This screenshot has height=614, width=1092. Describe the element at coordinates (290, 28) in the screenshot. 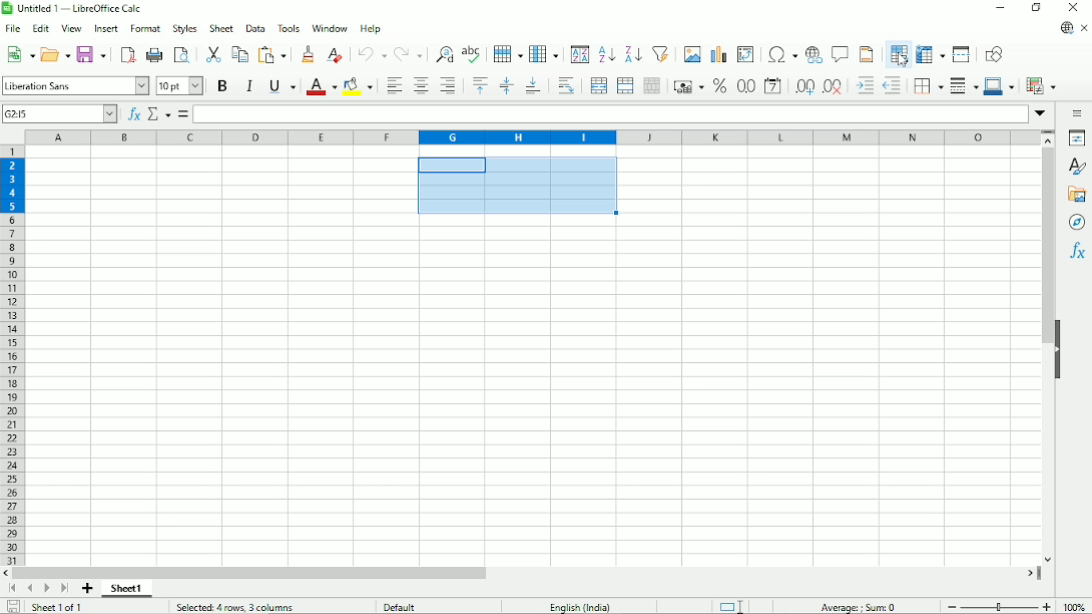

I see `Tools` at that location.